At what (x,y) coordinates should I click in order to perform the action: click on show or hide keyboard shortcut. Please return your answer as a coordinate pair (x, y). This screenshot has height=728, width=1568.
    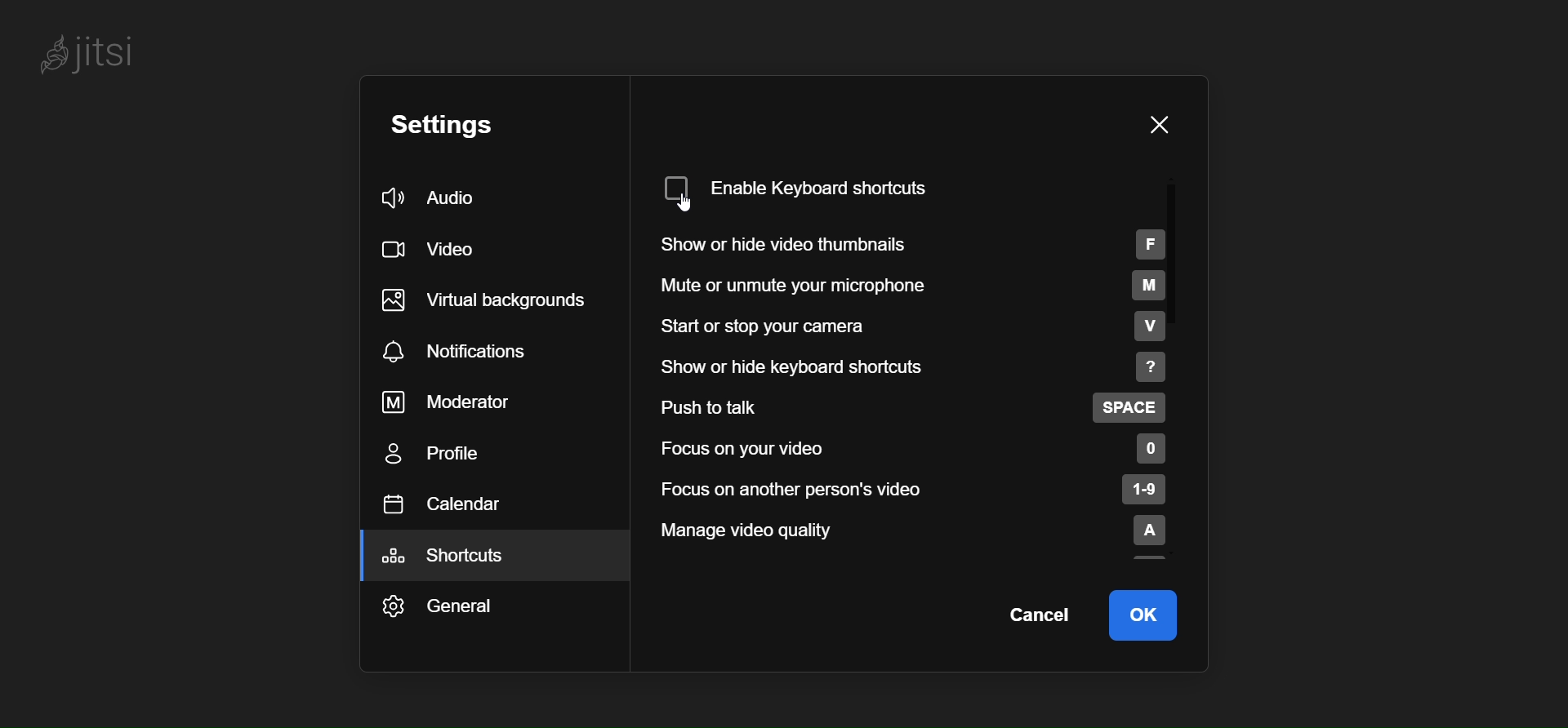
    Looking at the image, I should click on (915, 366).